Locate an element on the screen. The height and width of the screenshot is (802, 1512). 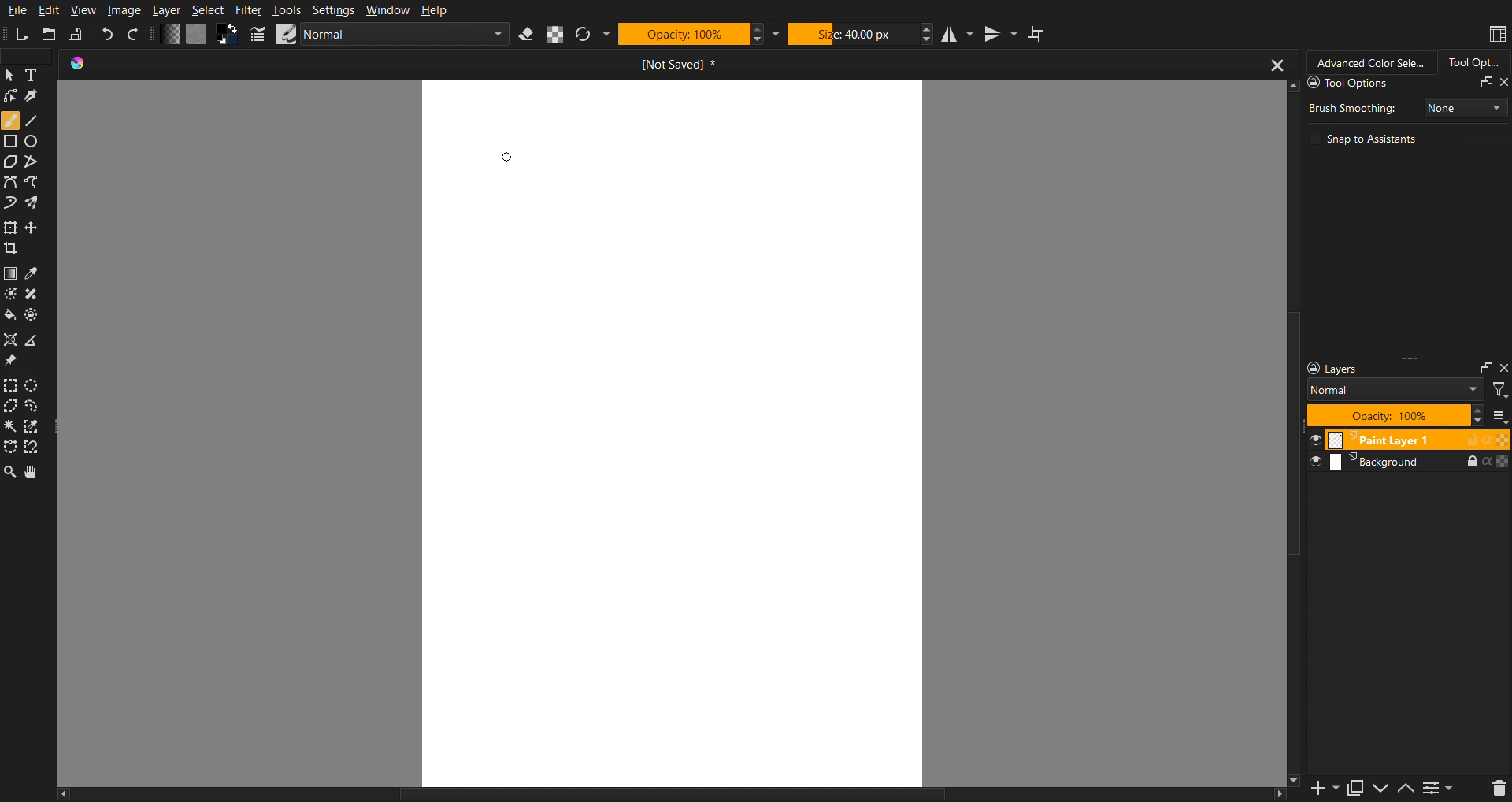
Settings is located at coordinates (333, 9).